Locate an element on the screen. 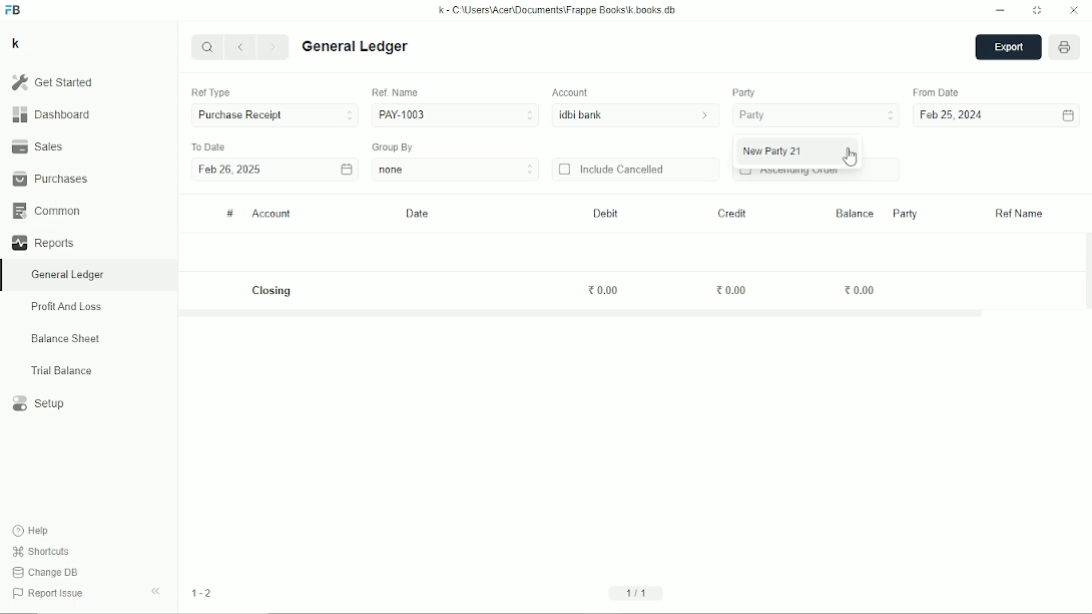 This screenshot has width=1092, height=614. 1-2 is located at coordinates (202, 593).